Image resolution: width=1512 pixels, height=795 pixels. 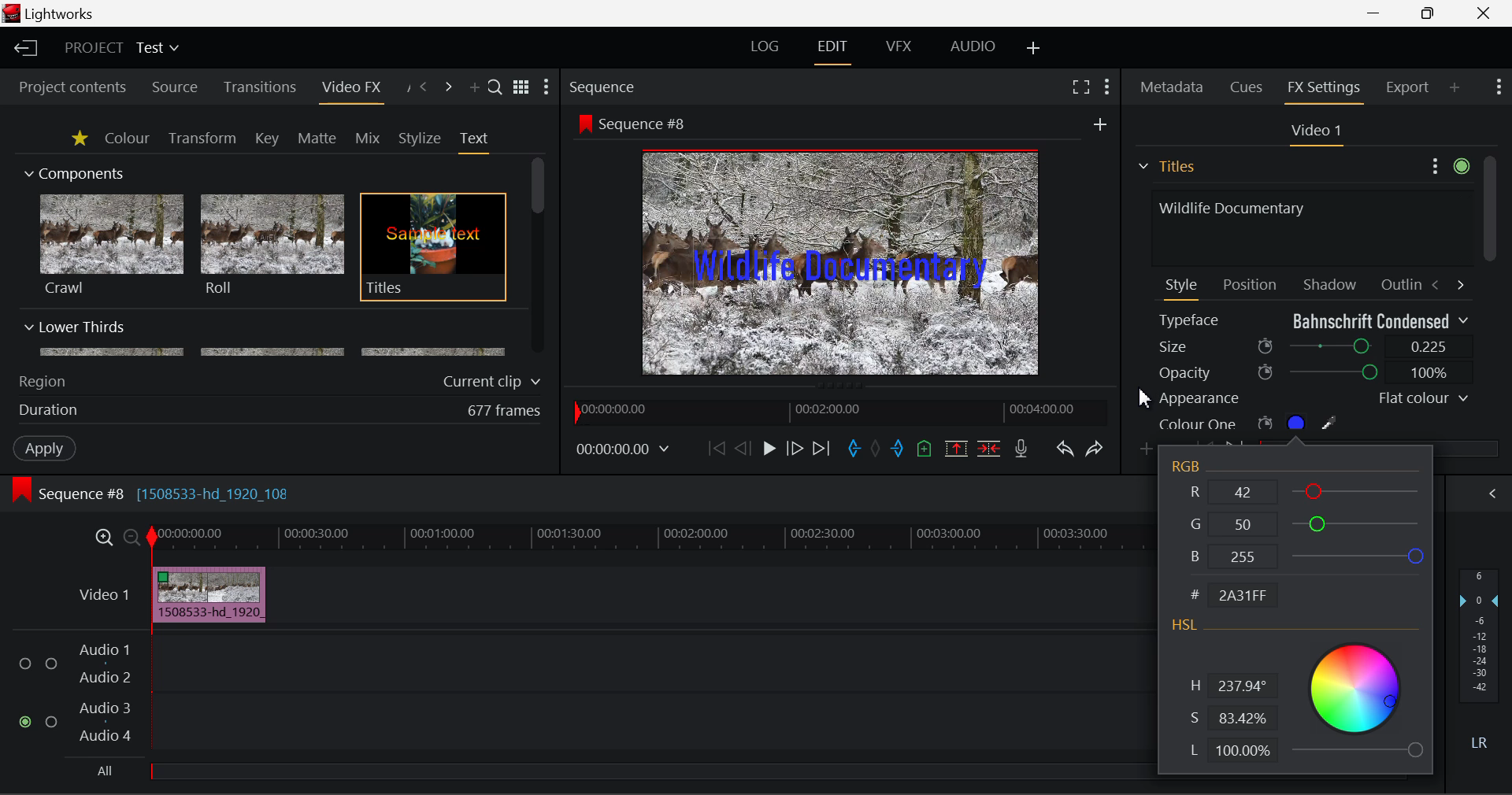 I want to click on Zoom Out Timeline, so click(x=132, y=539).